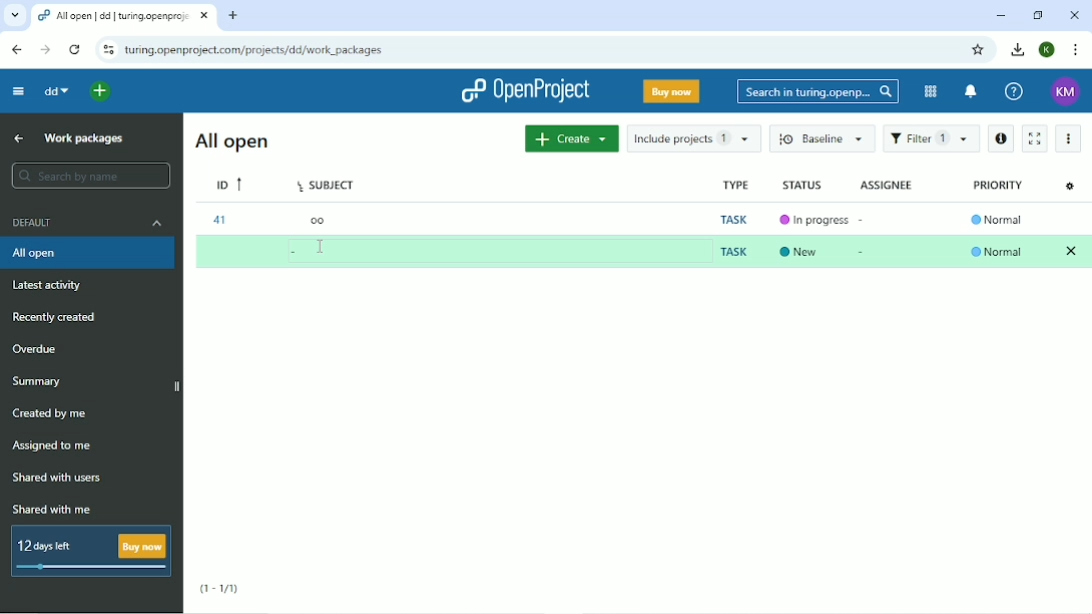 This screenshot has height=614, width=1092. Describe the element at coordinates (732, 186) in the screenshot. I see `Type` at that location.